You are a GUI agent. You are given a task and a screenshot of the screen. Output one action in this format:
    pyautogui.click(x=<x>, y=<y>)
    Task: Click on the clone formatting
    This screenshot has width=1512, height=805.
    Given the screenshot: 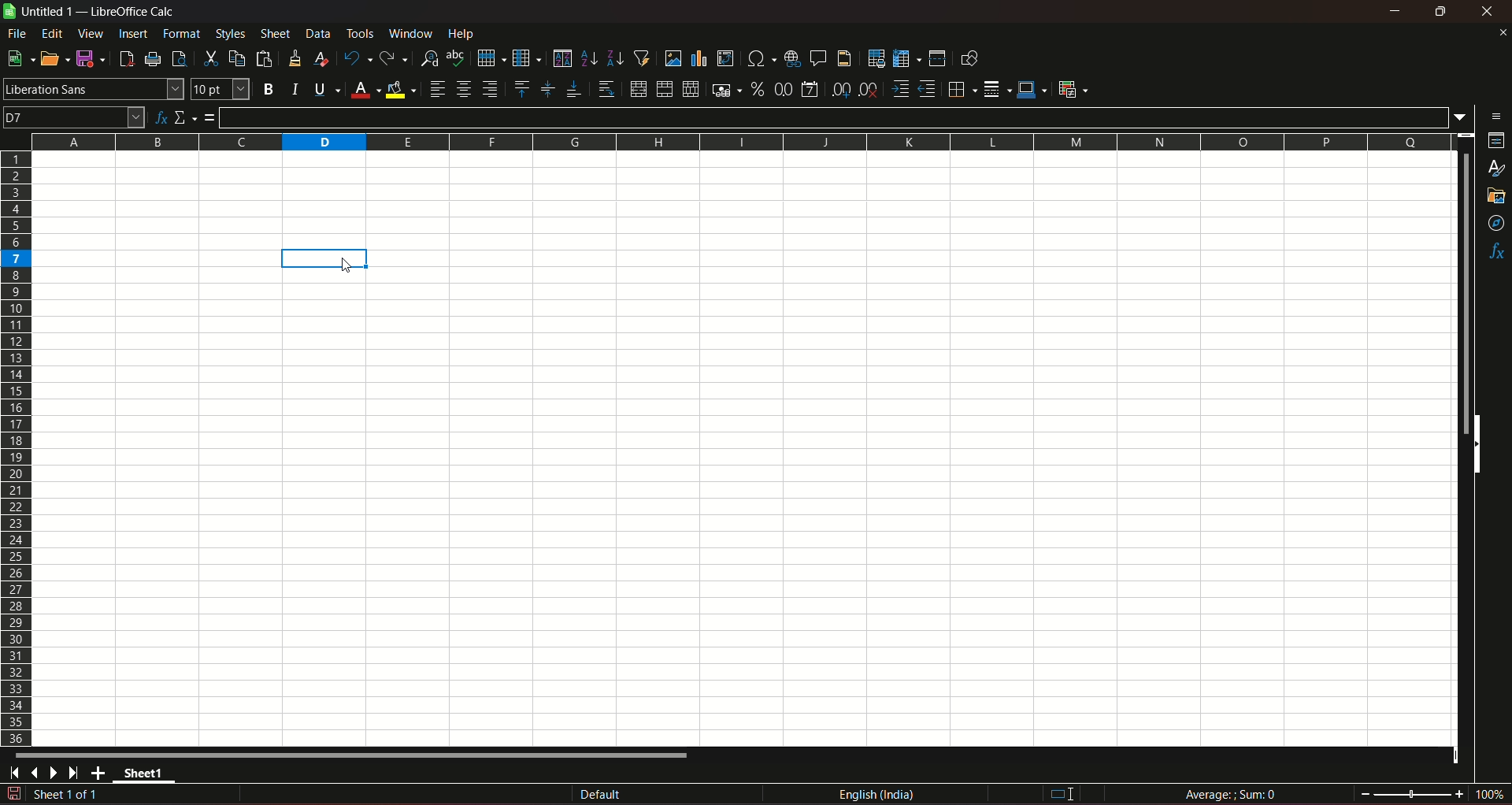 What is the action you would take?
    pyautogui.click(x=296, y=57)
    